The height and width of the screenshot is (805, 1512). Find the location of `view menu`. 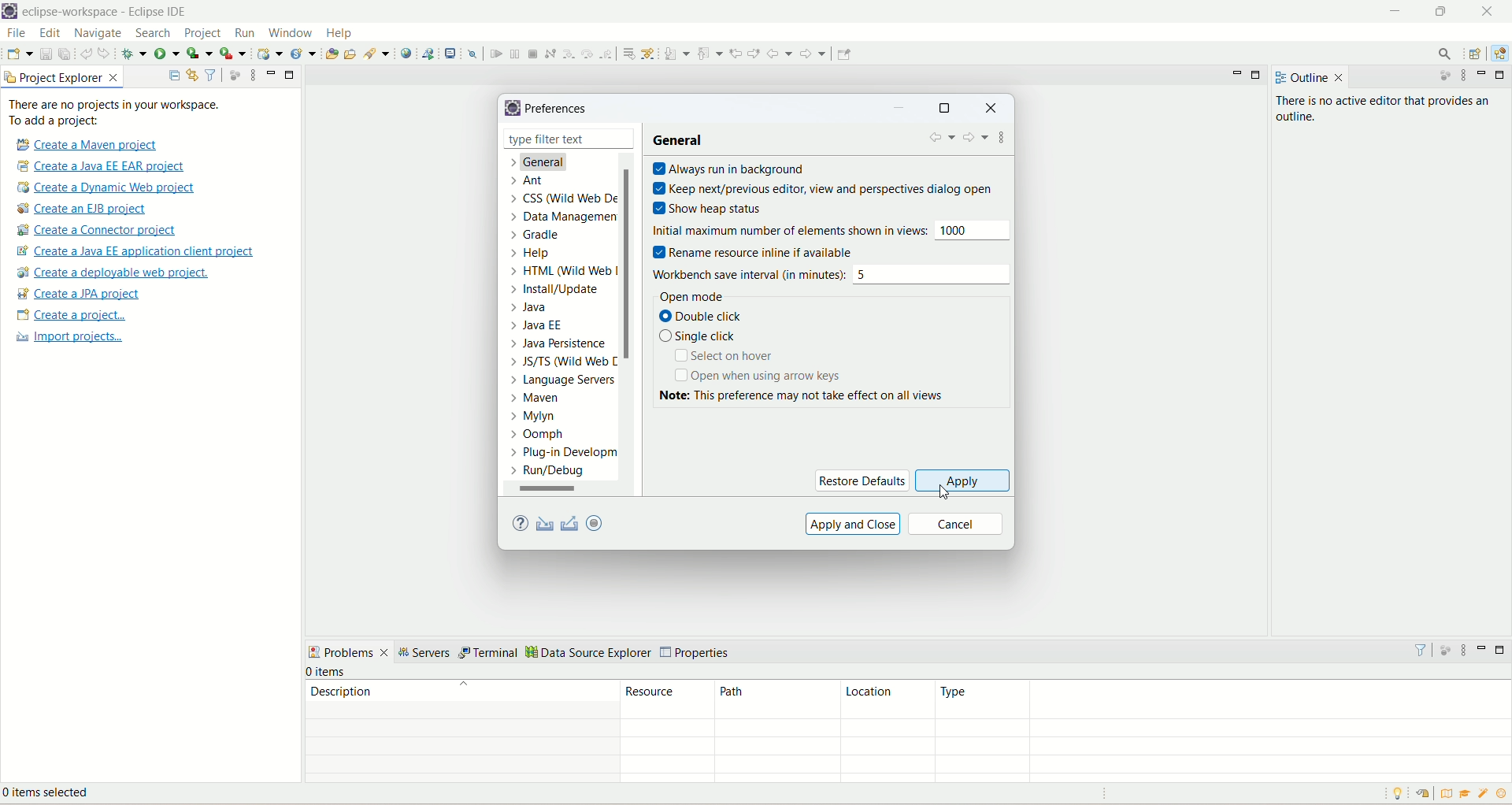

view menu is located at coordinates (1463, 650).